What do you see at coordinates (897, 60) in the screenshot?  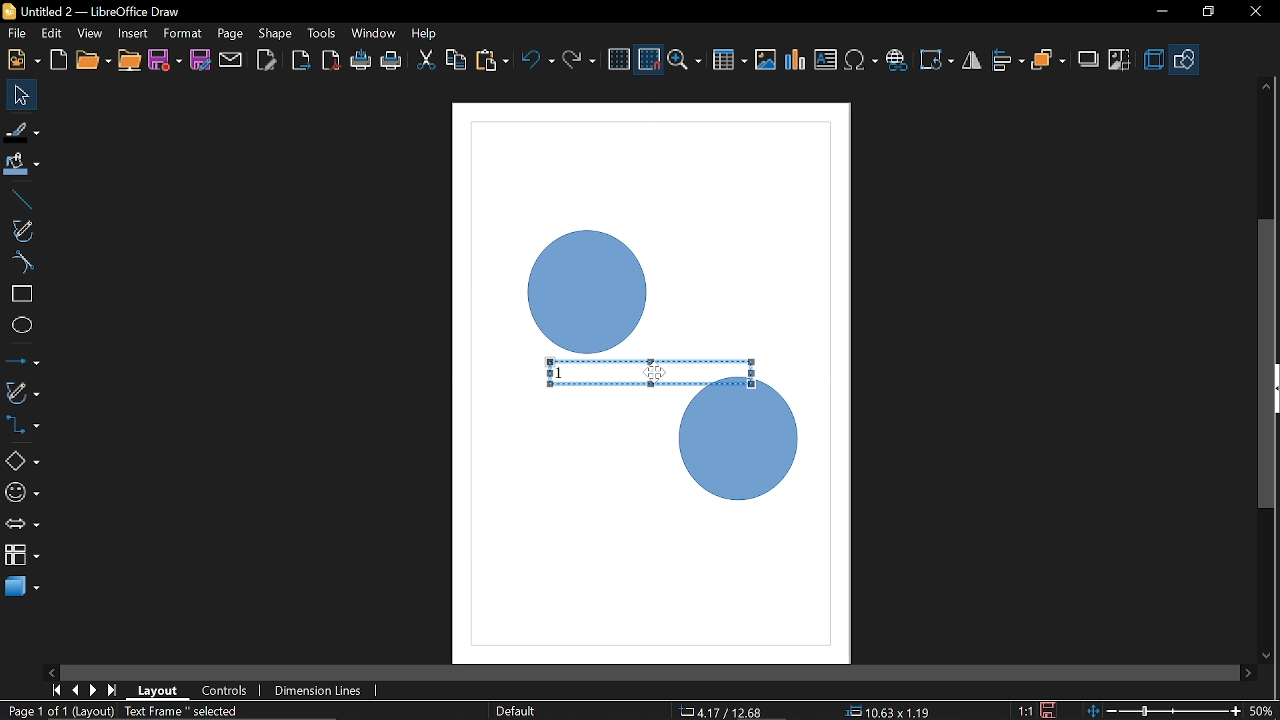 I see `Insert hyperlink` at bounding box center [897, 60].